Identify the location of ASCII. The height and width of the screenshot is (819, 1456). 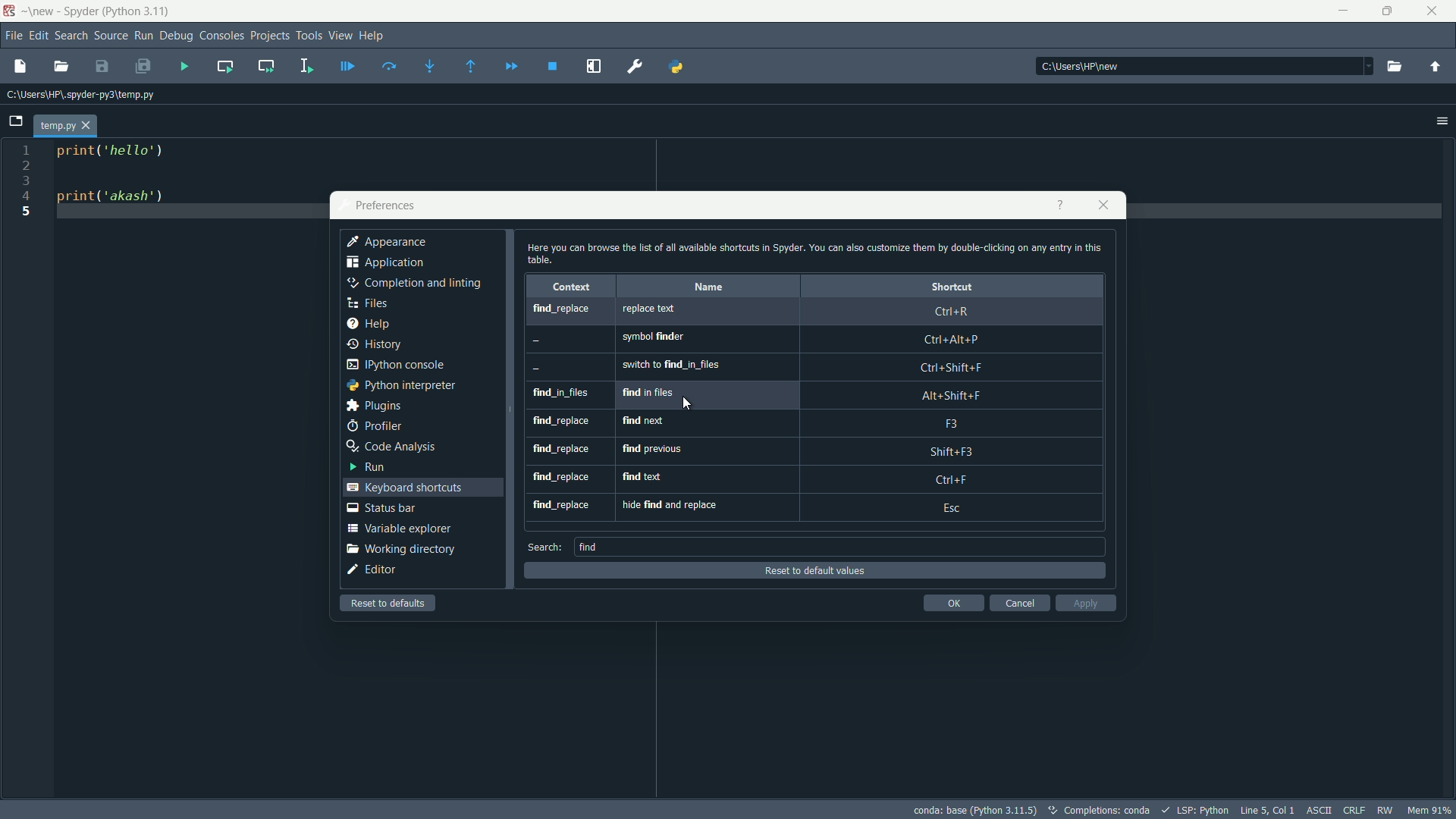
(1320, 810).